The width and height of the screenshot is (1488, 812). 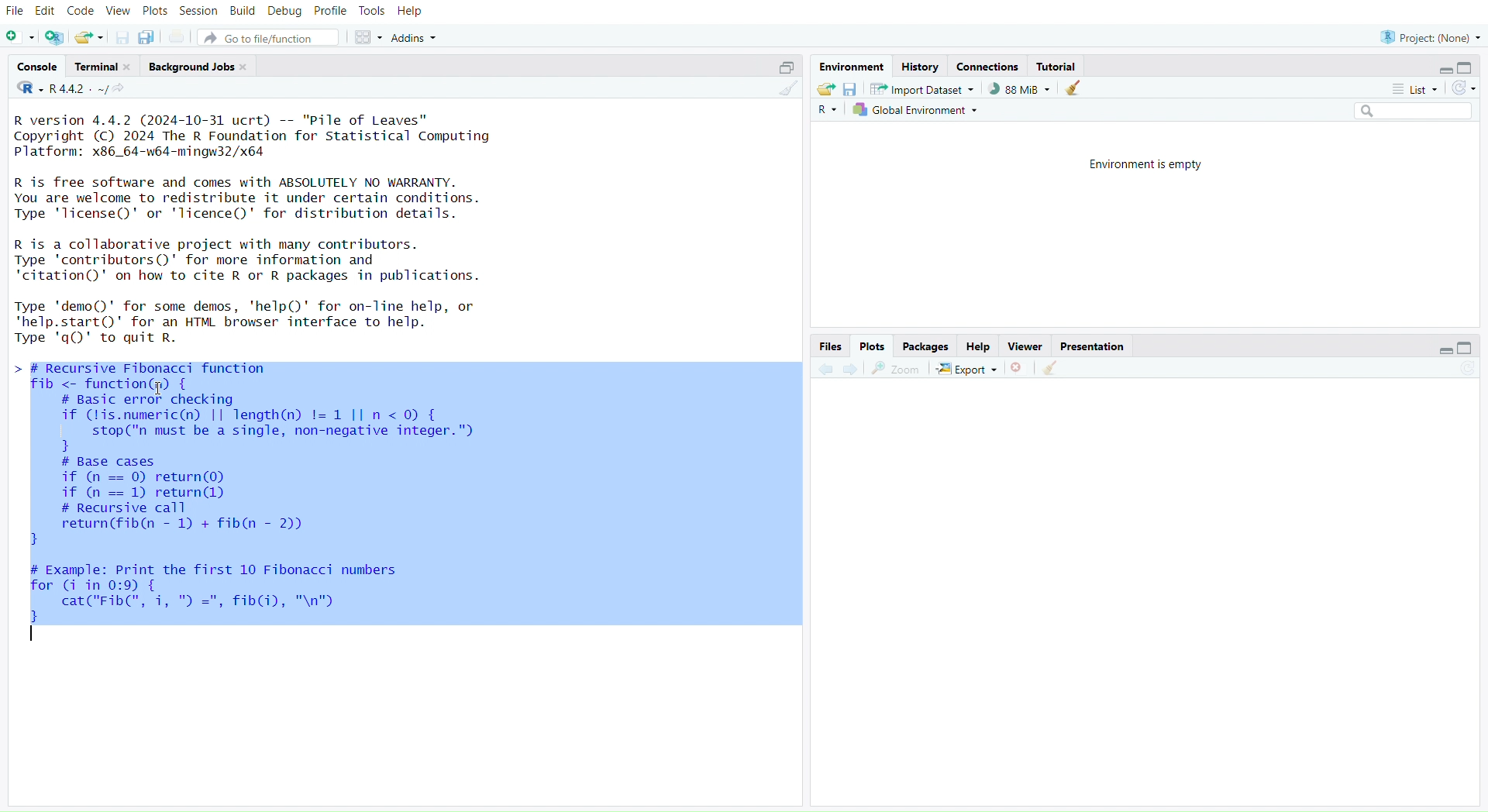 I want to click on remove current plot, so click(x=1019, y=368).